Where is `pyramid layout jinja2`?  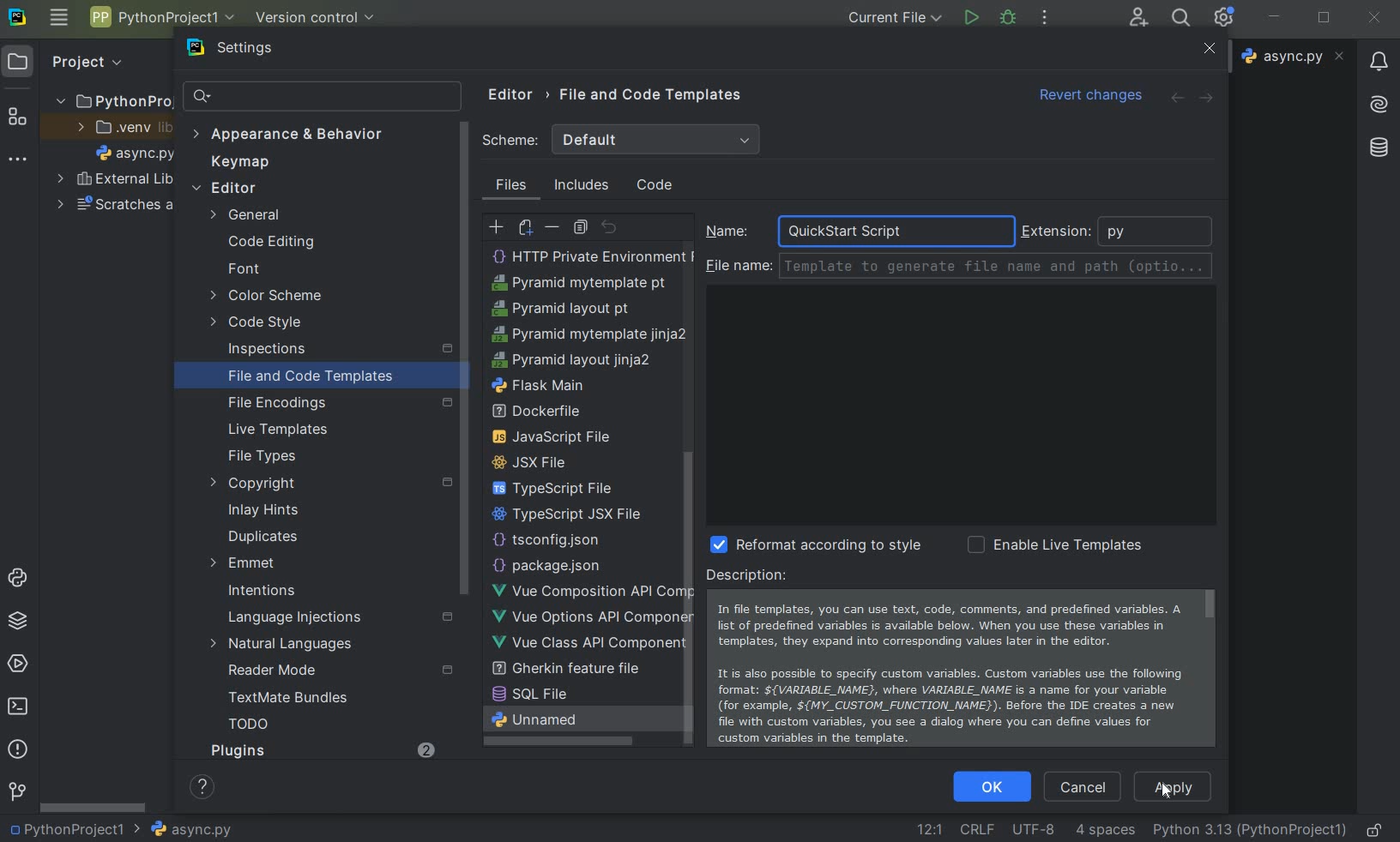
pyramid layout jinja2 is located at coordinates (569, 716).